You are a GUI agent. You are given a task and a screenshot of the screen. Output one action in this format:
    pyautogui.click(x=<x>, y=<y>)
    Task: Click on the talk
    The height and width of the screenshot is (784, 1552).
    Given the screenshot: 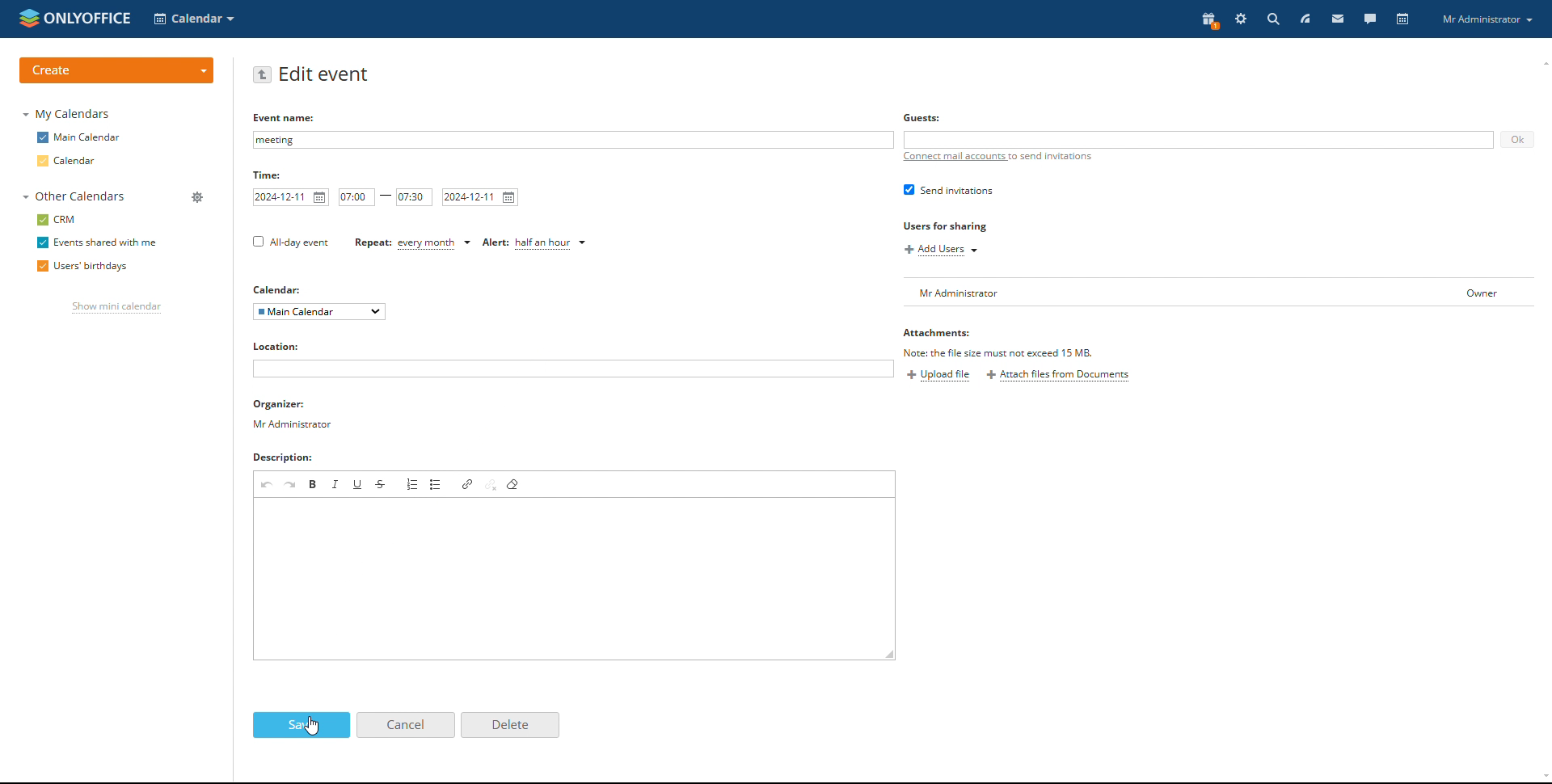 What is the action you would take?
    pyautogui.click(x=1369, y=19)
    